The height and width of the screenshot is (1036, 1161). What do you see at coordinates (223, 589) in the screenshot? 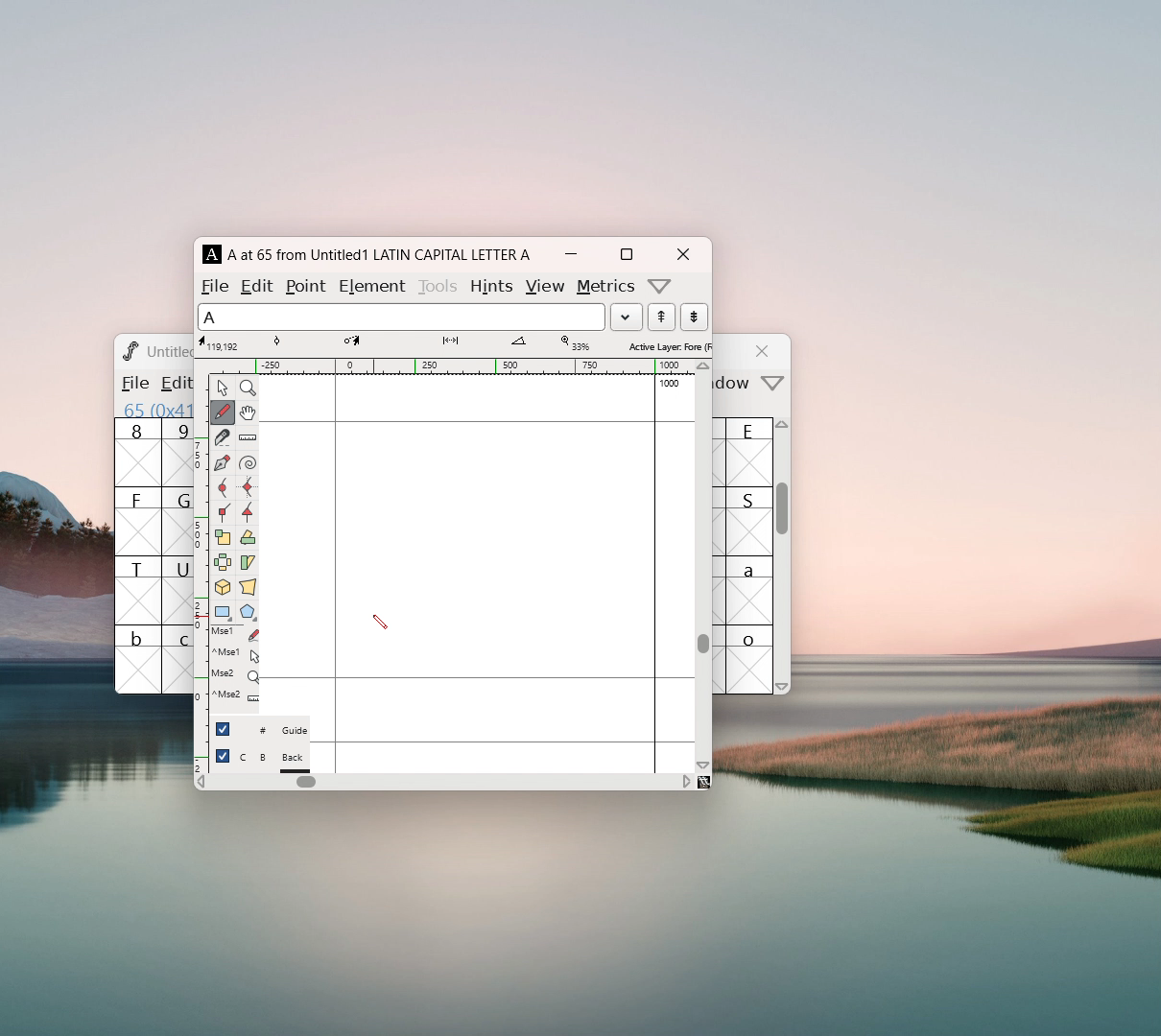
I see `rotate the selection to 3D and project back to plane` at bounding box center [223, 589].